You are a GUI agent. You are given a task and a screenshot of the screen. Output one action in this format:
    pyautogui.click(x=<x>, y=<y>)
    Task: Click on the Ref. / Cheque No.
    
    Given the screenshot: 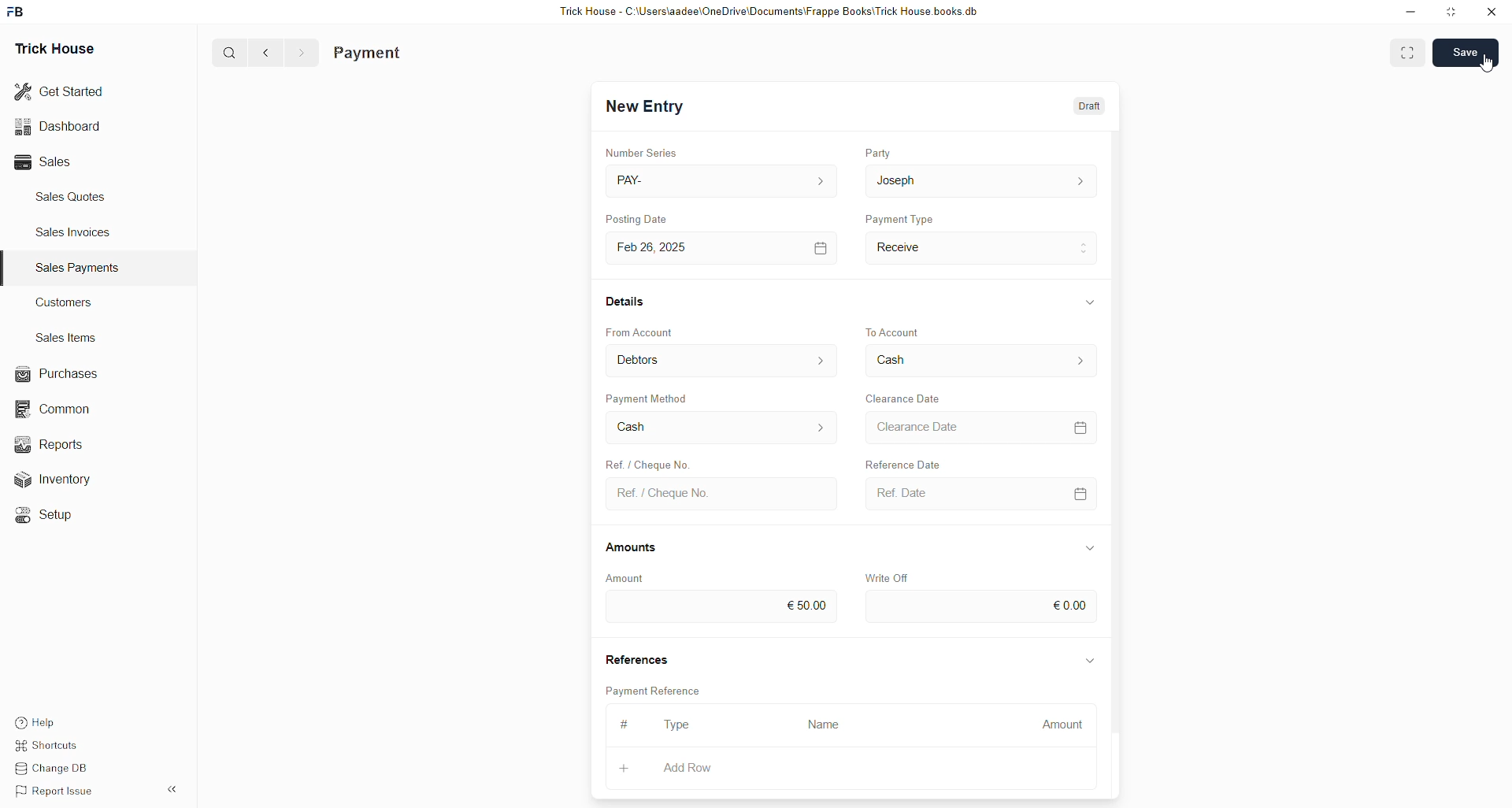 What is the action you would take?
    pyautogui.click(x=724, y=495)
    